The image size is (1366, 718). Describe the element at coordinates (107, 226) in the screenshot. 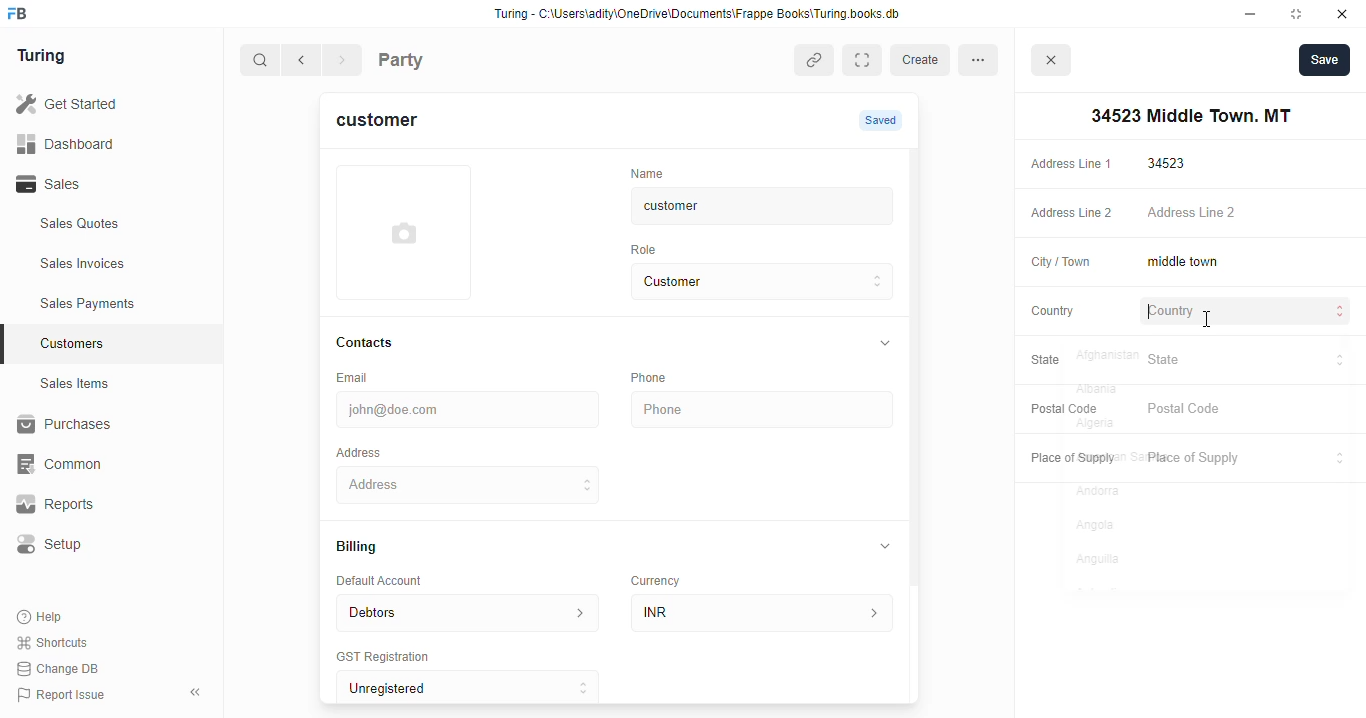

I see `Sales Quotes` at that location.